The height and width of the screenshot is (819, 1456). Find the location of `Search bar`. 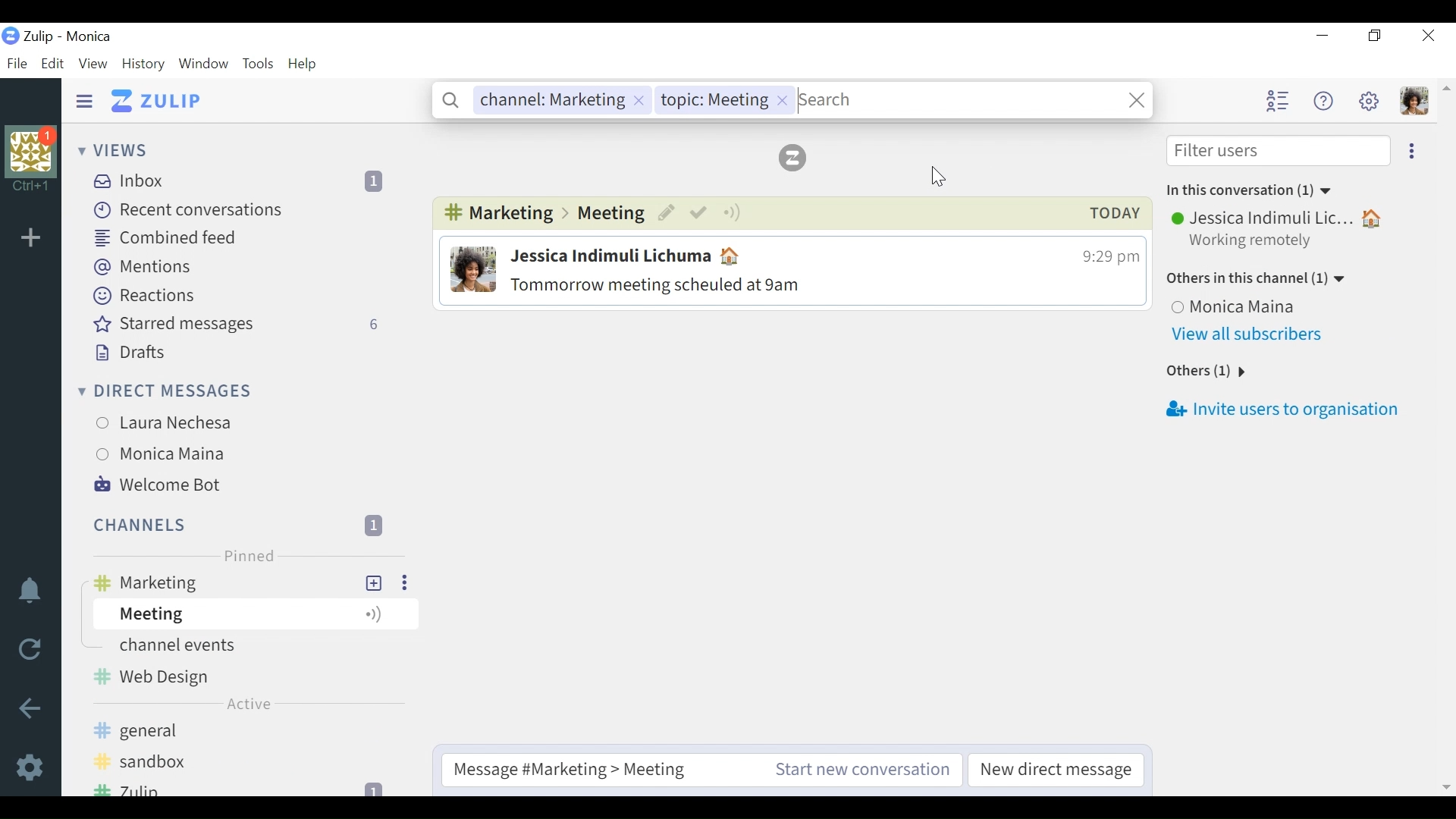

Search bar is located at coordinates (958, 99).